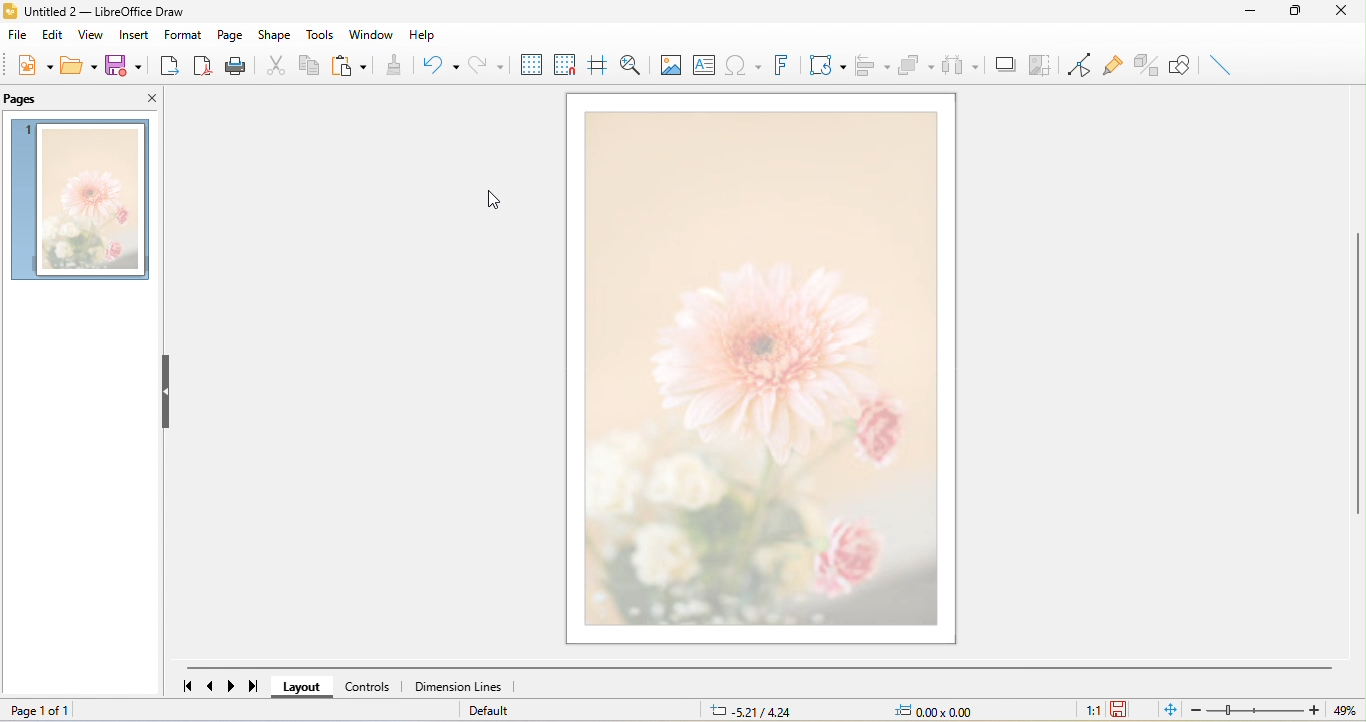  Describe the element at coordinates (1173, 710) in the screenshot. I see `fit to the current window` at that location.